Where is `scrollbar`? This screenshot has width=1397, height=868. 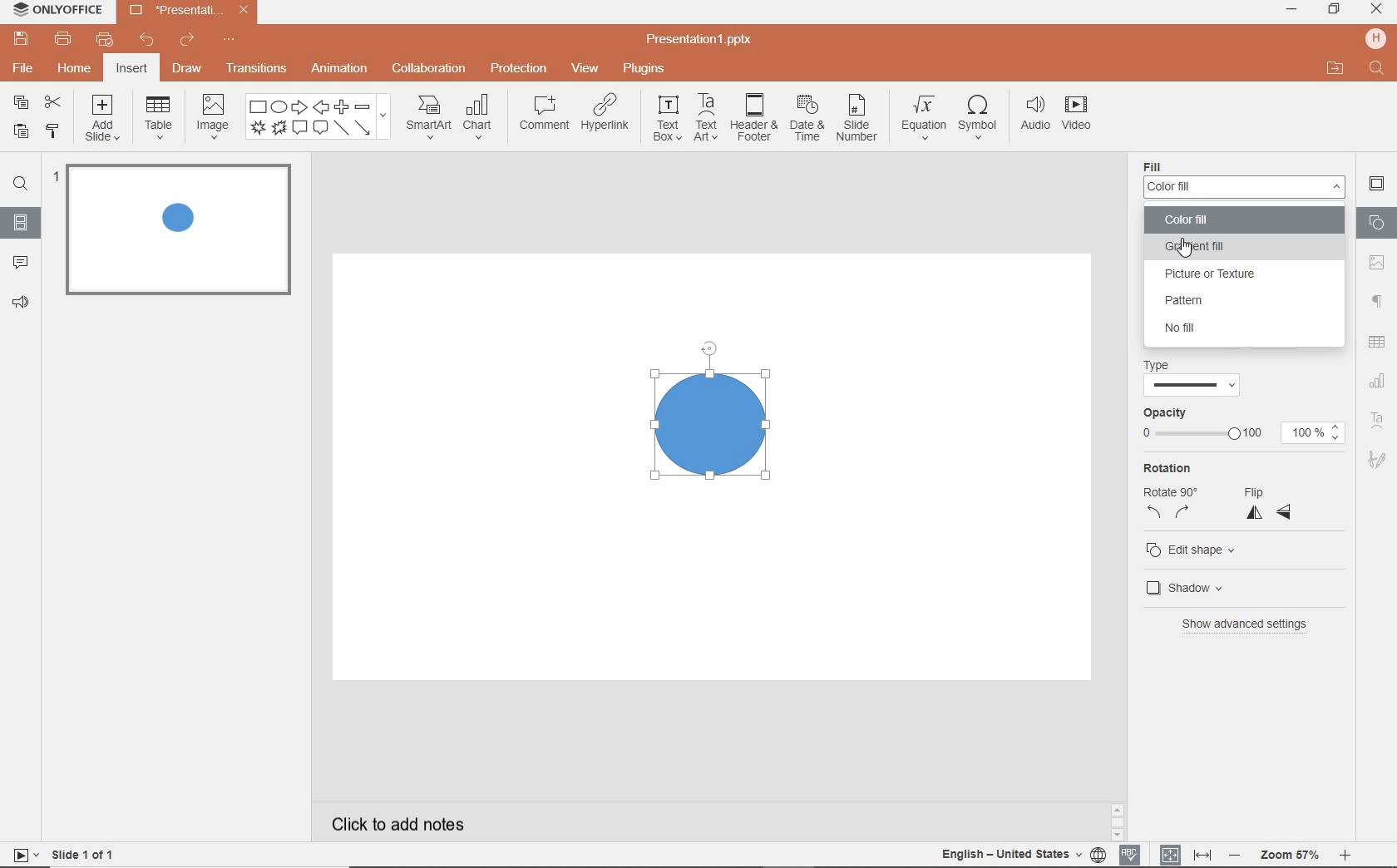 scrollbar is located at coordinates (1117, 815).